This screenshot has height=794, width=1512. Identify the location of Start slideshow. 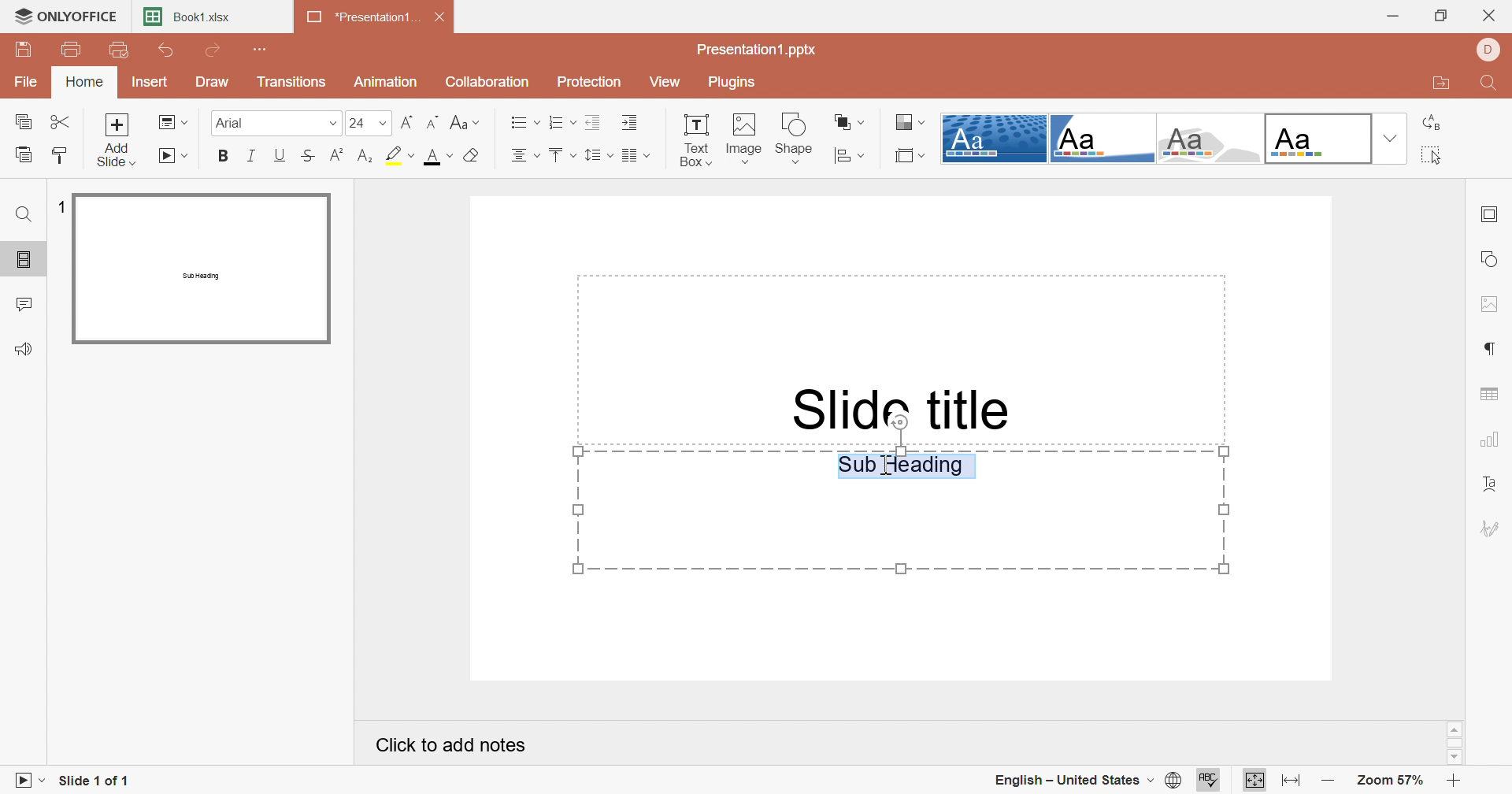
(28, 779).